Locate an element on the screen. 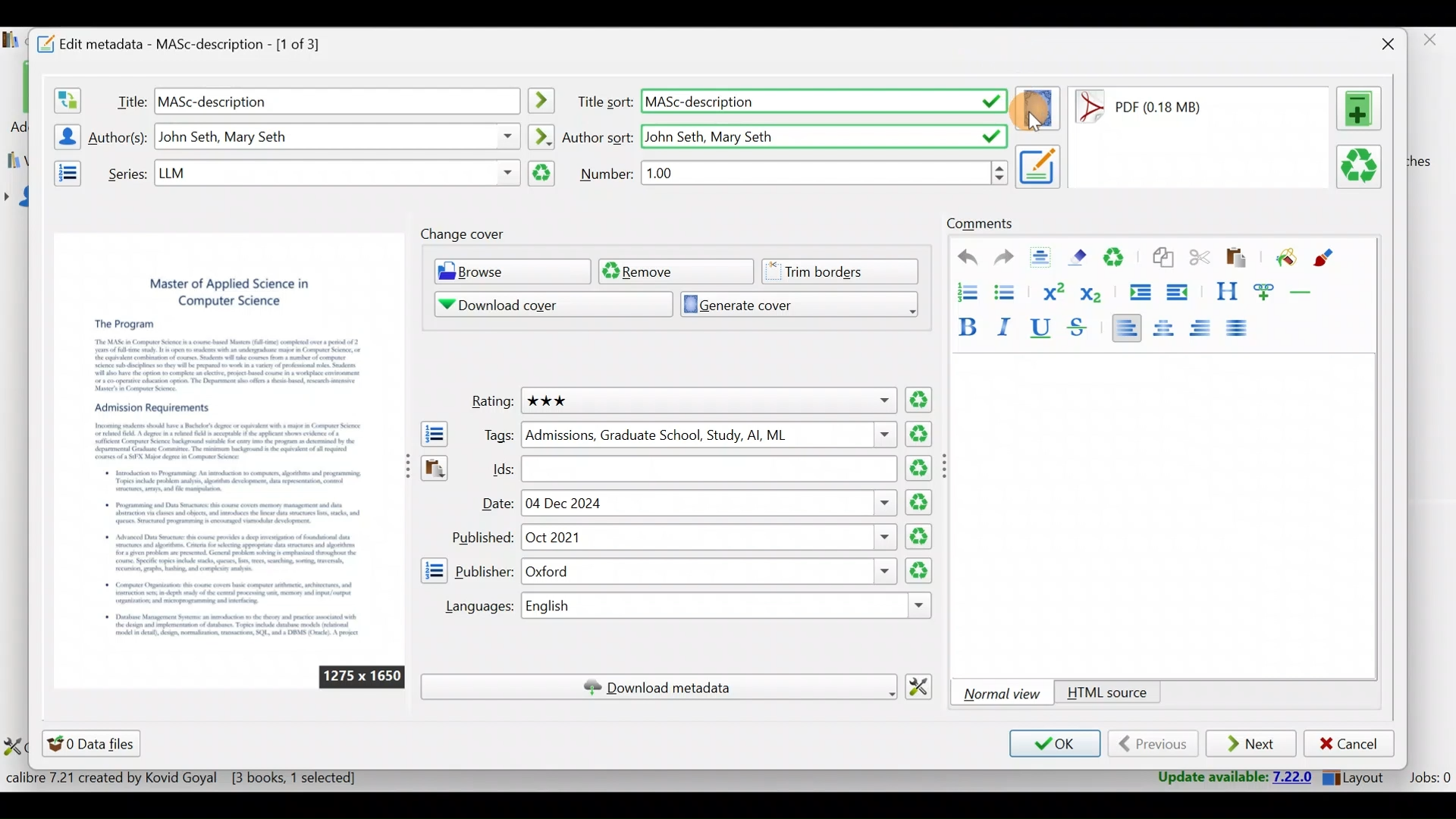 Image resolution: width=1456 pixels, height=819 pixels. Browse is located at coordinates (508, 273).